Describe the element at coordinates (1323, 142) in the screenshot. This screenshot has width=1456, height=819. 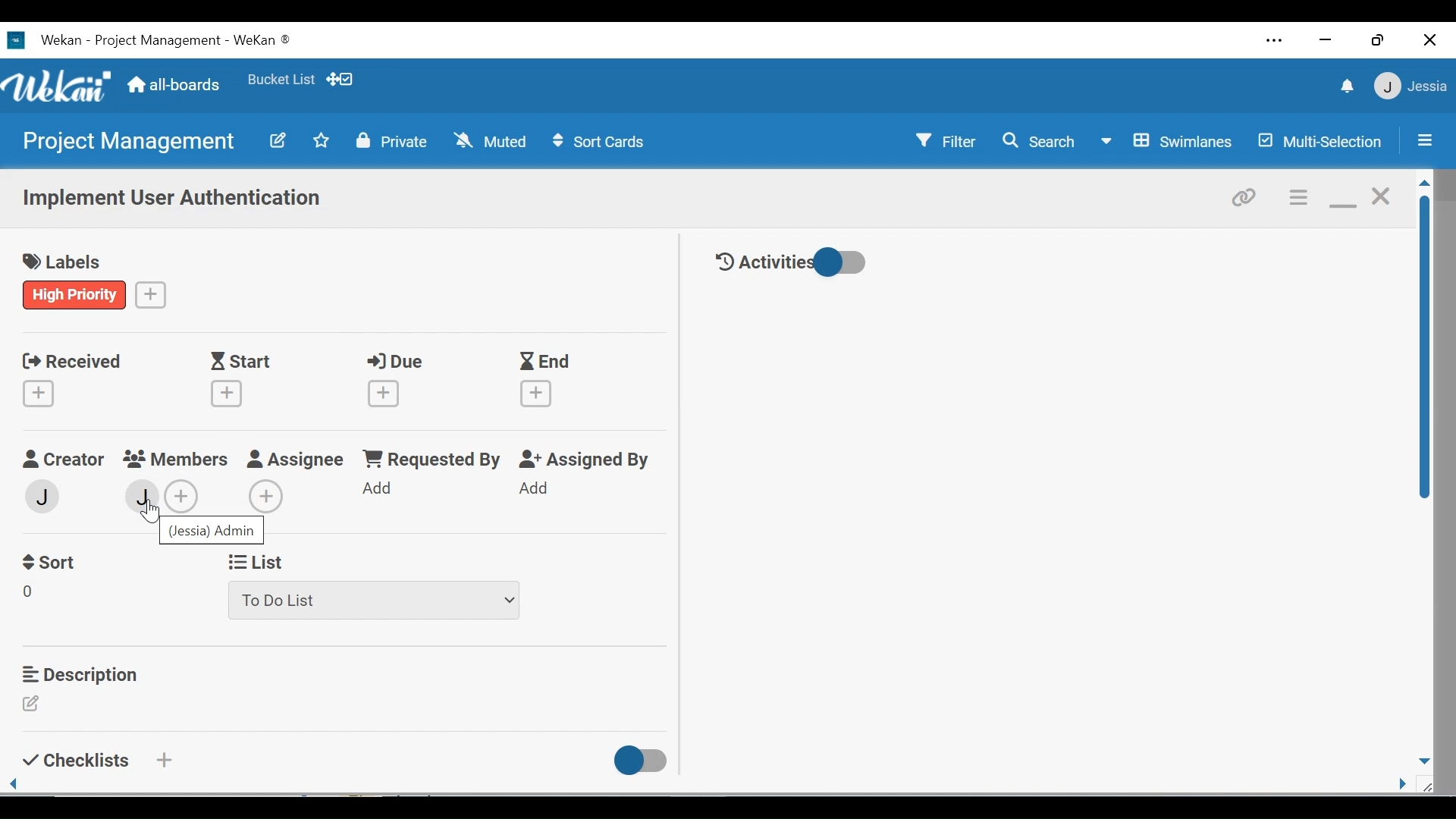
I see `Multi-Selection` at that location.